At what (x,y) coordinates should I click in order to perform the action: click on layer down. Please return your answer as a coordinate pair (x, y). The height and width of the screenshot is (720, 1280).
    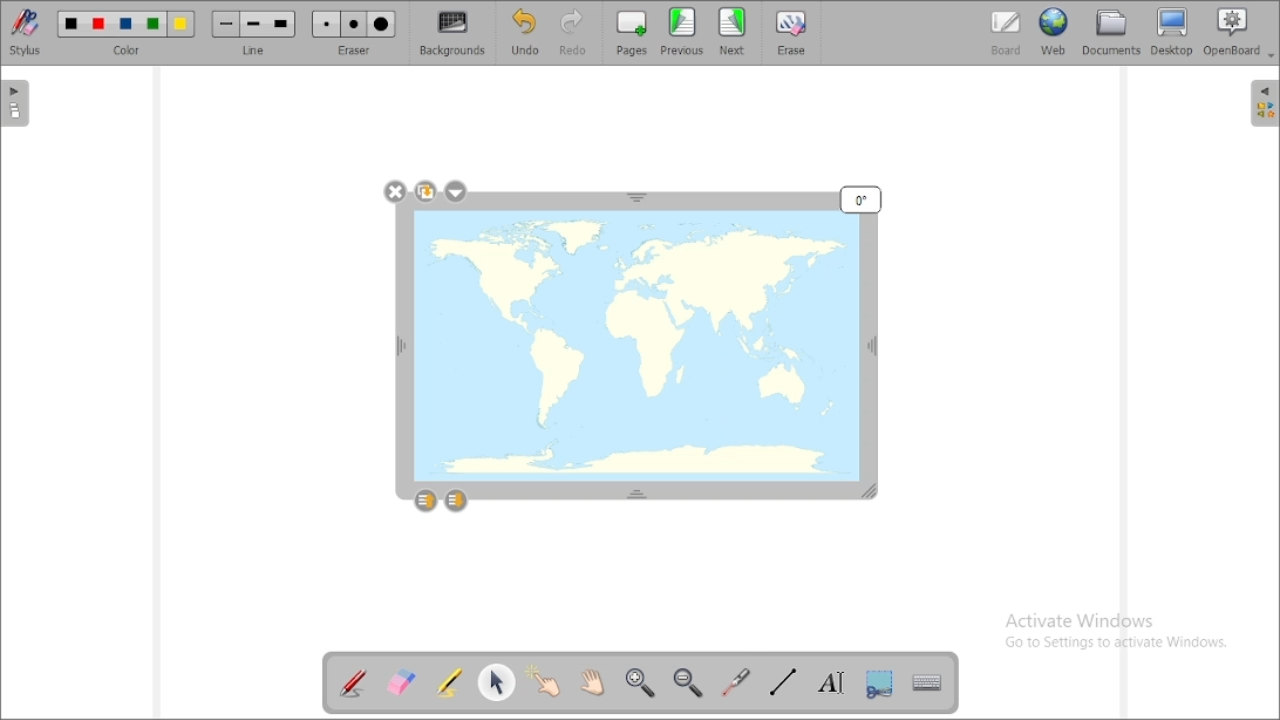
    Looking at the image, I should click on (456, 501).